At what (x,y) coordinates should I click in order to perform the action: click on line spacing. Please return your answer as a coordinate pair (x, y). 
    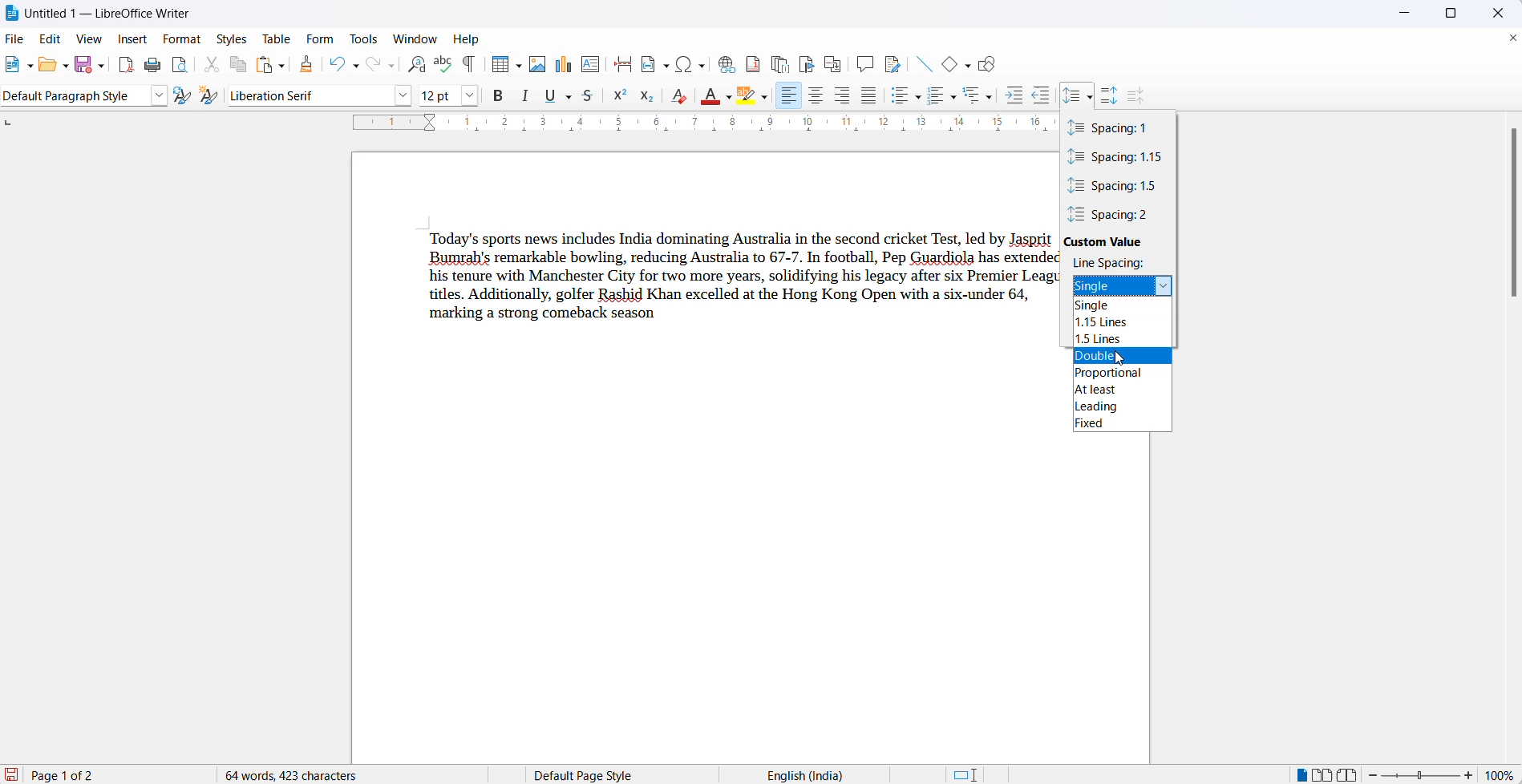
    Looking at the image, I should click on (1115, 265).